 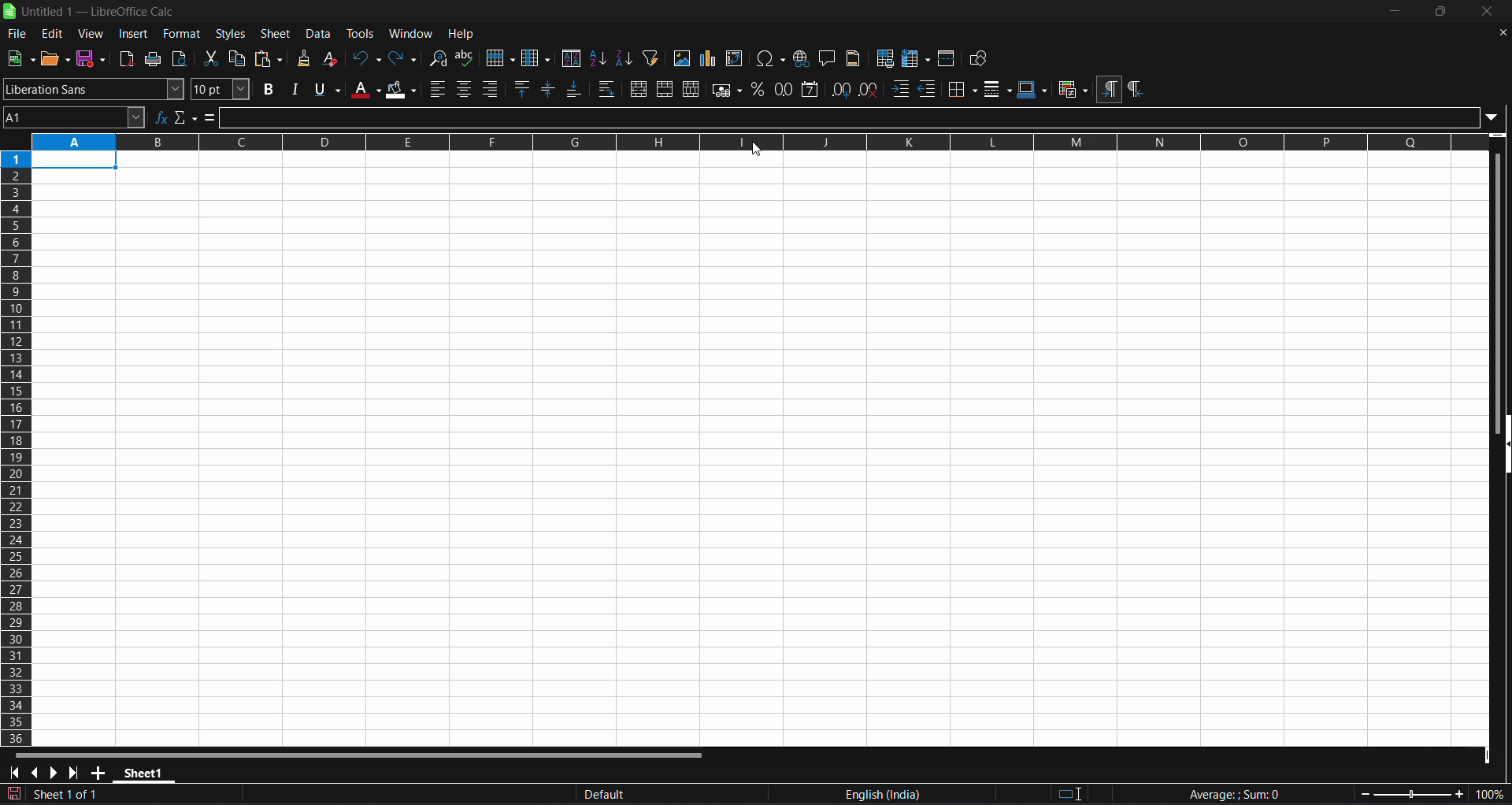 I want to click on columns, so click(x=19, y=445).